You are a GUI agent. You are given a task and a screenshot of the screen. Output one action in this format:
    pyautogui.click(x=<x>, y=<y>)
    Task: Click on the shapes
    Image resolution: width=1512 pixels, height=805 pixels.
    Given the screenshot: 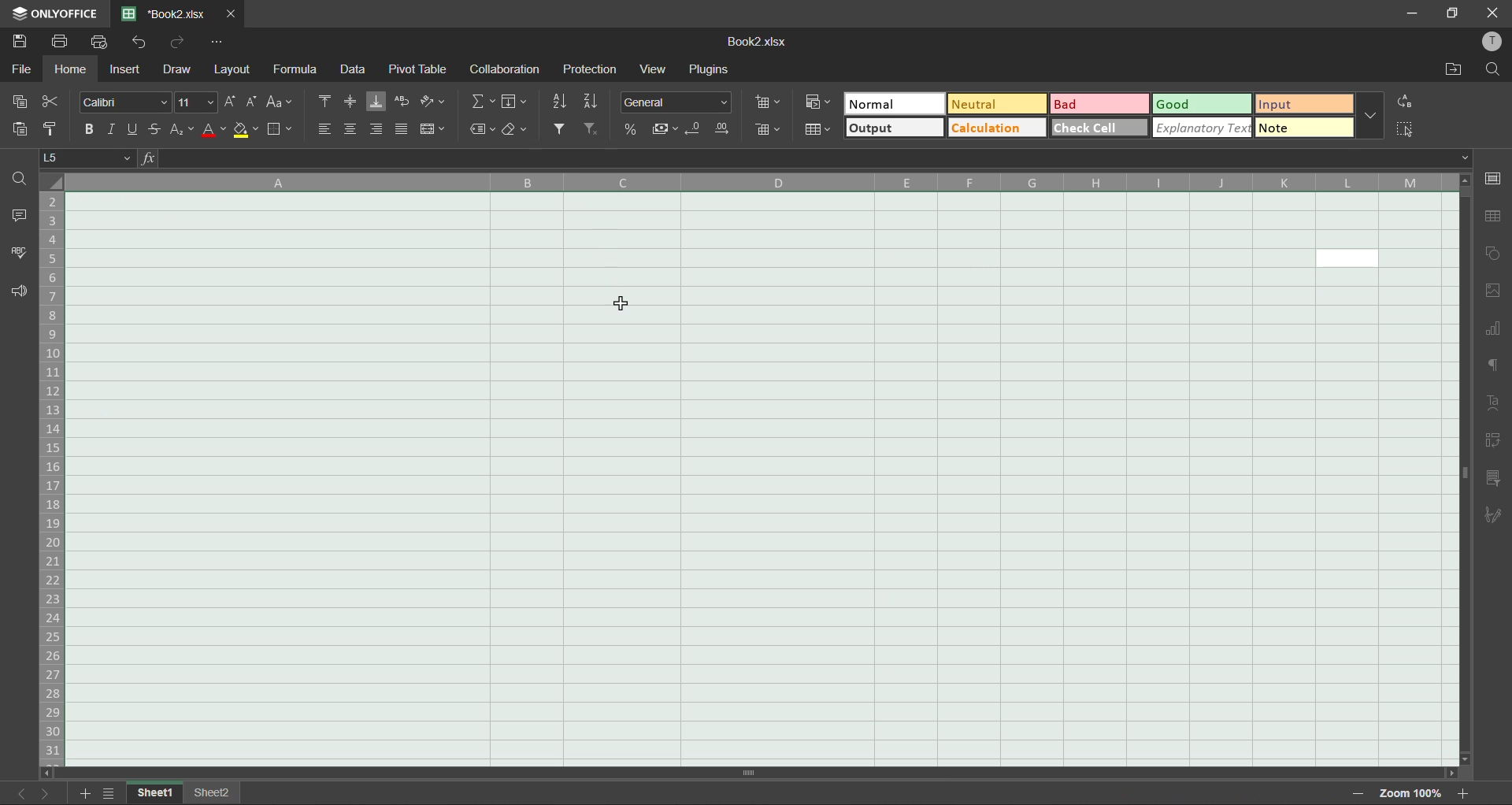 What is the action you would take?
    pyautogui.click(x=1495, y=256)
    